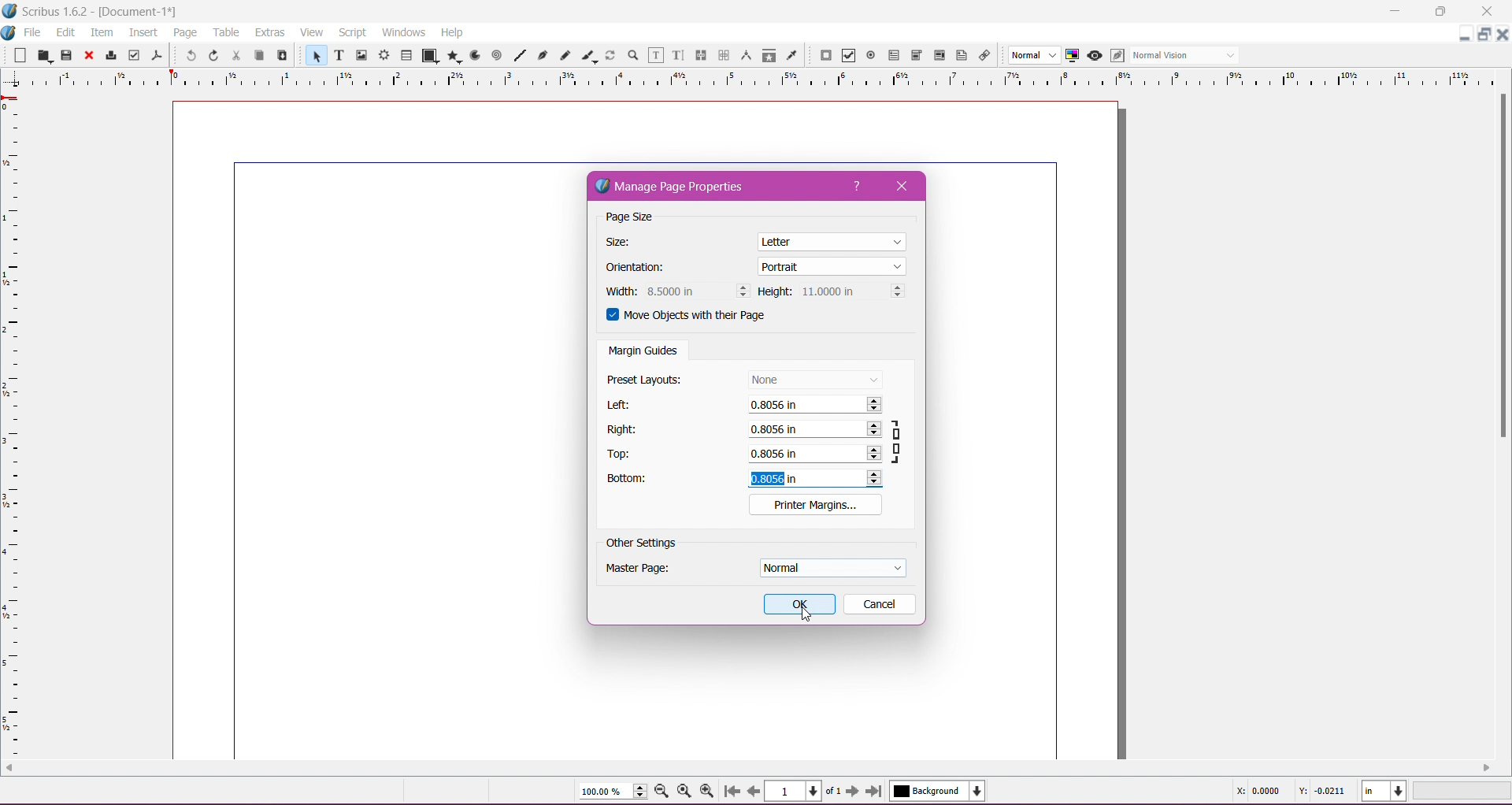  Describe the element at coordinates (1503, 269) in the screenshot. I see `Vertical Scroll Bar` at that location.